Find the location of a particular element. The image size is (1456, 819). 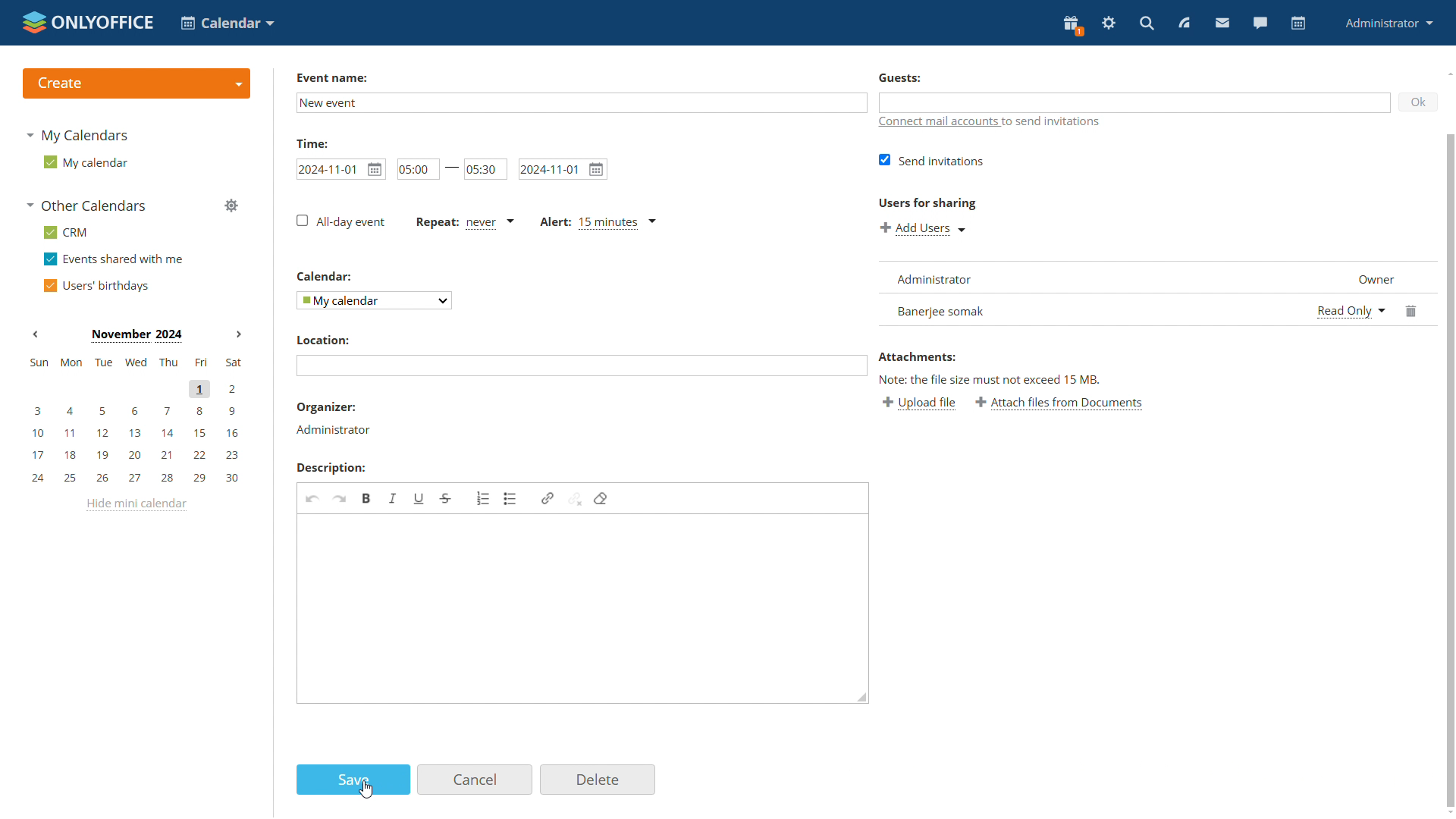

Select end date is located at coordinates (563, 168).